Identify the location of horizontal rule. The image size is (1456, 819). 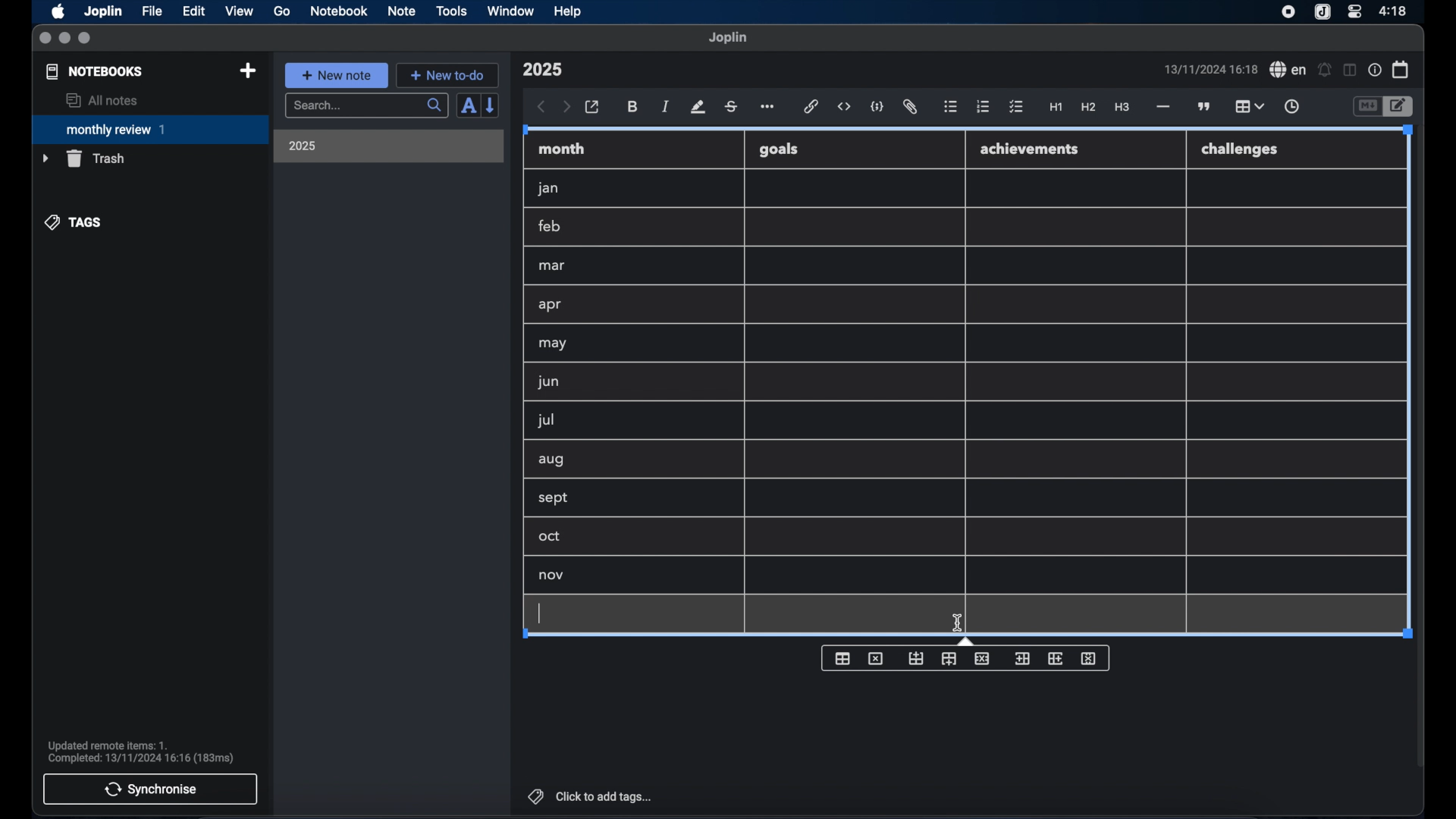
(1162, 107).